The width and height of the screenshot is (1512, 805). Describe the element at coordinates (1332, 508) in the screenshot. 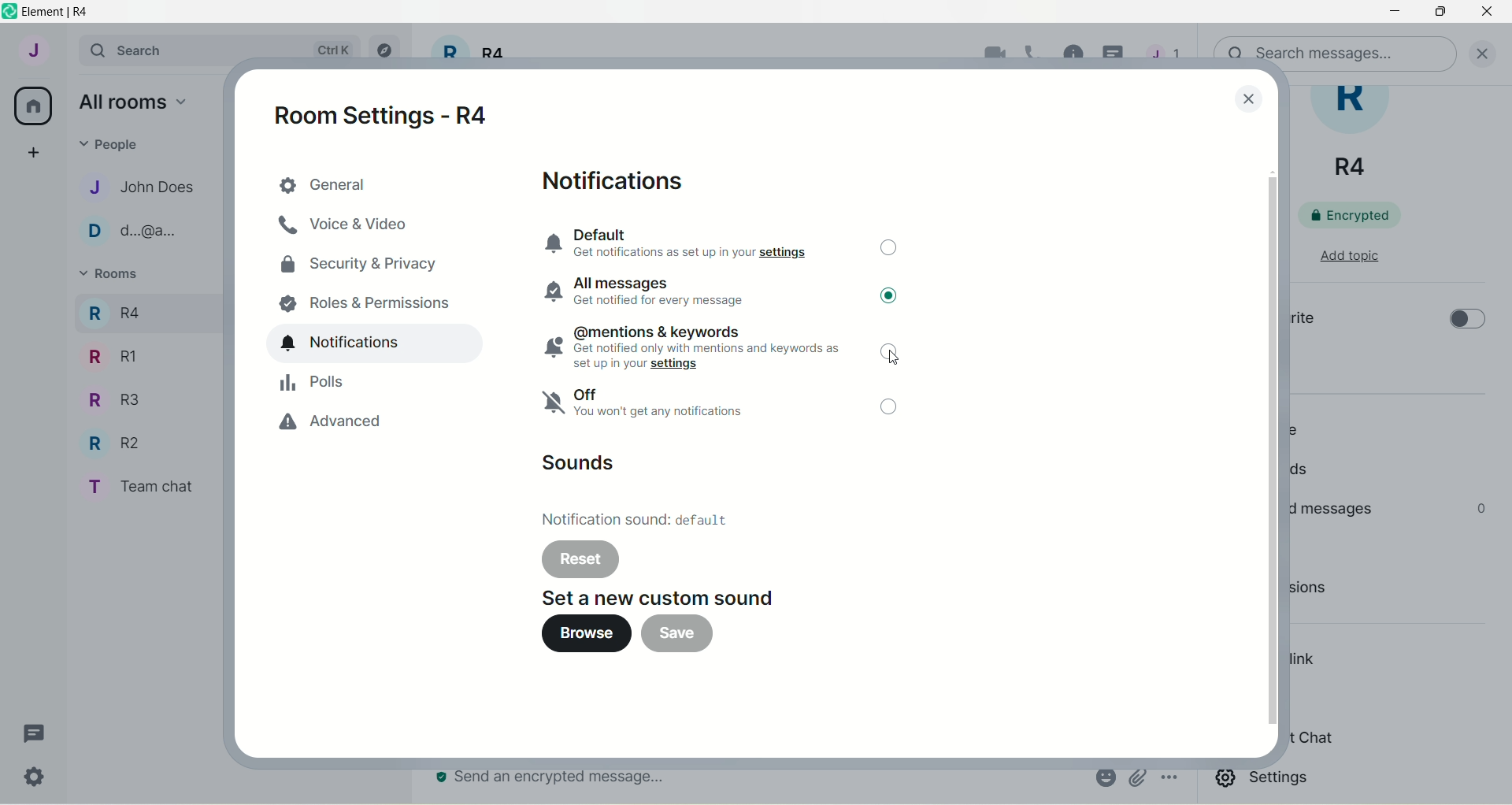

I see `pinned messages` at that location.